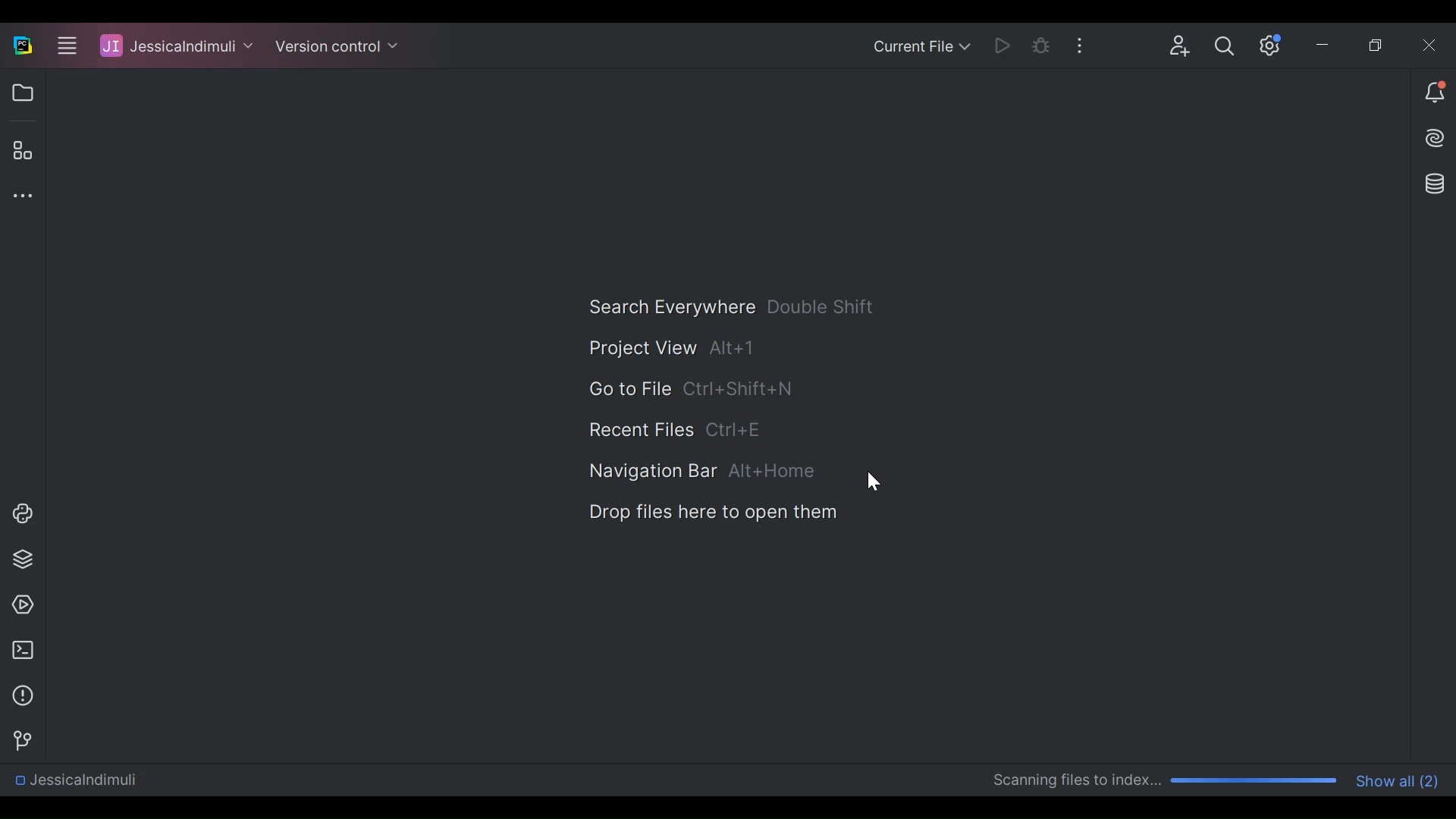 The image size is (1456, 819). I want to click on More, so click(1078, 43).